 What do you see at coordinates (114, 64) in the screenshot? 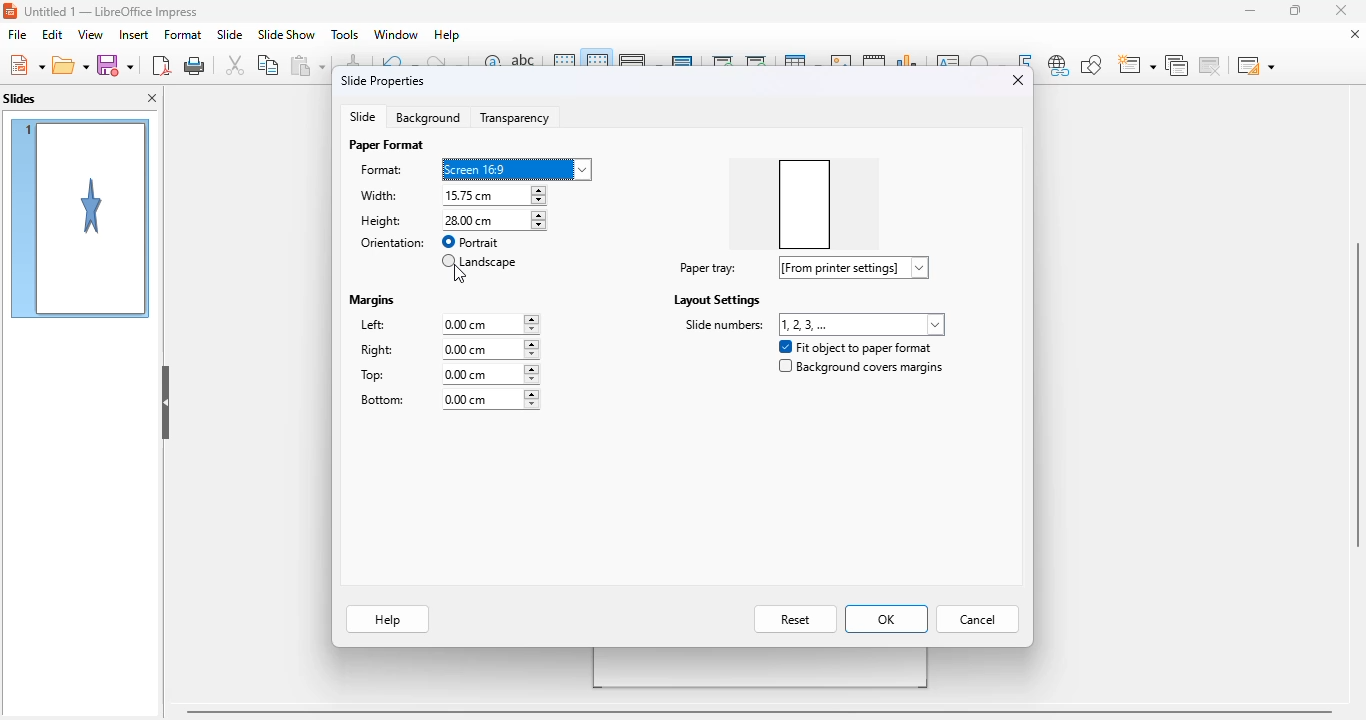
I see `save` at bounding box center [114, 64].